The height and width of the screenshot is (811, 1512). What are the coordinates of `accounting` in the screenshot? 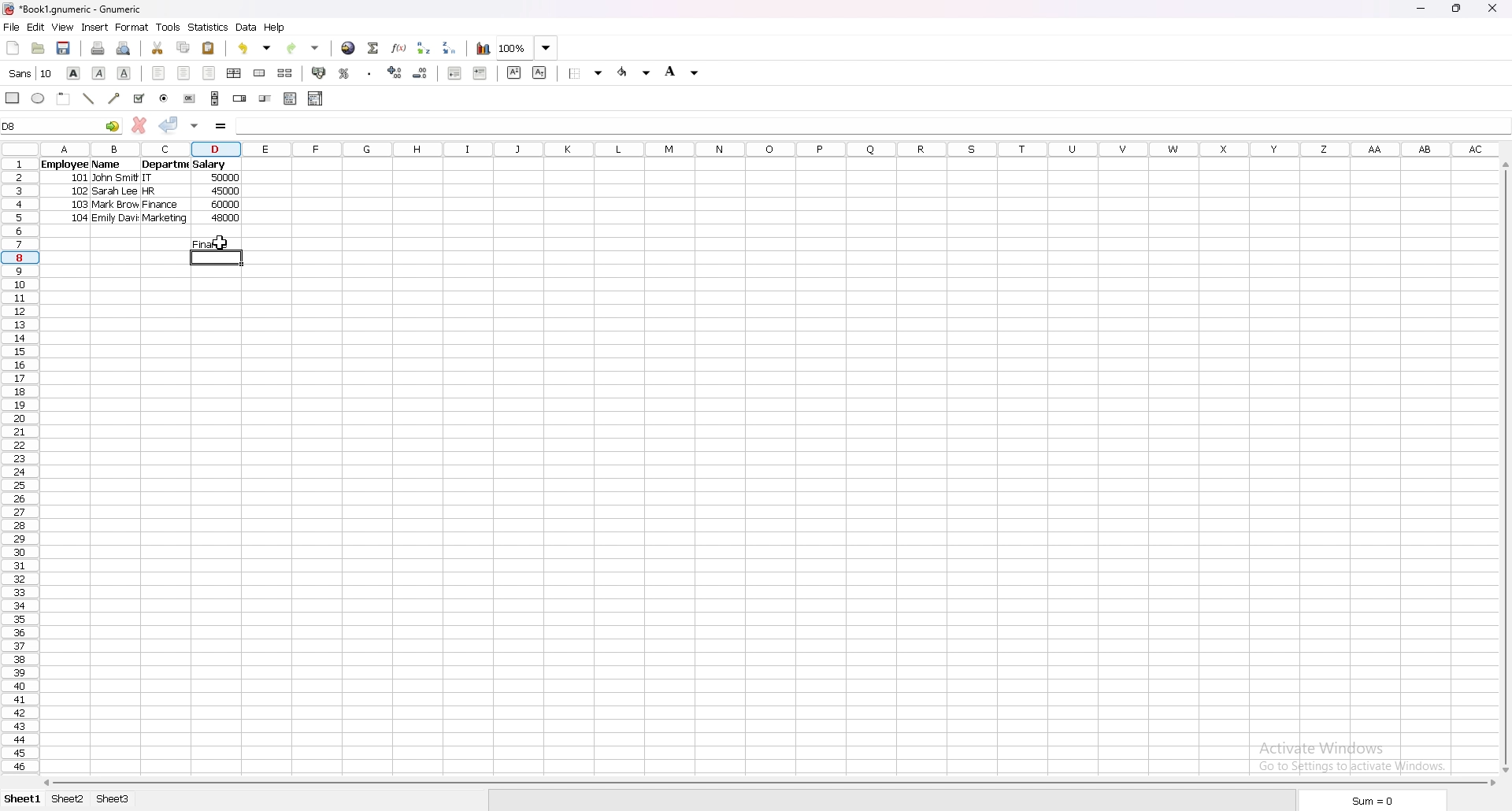 It's located at (320, 72).